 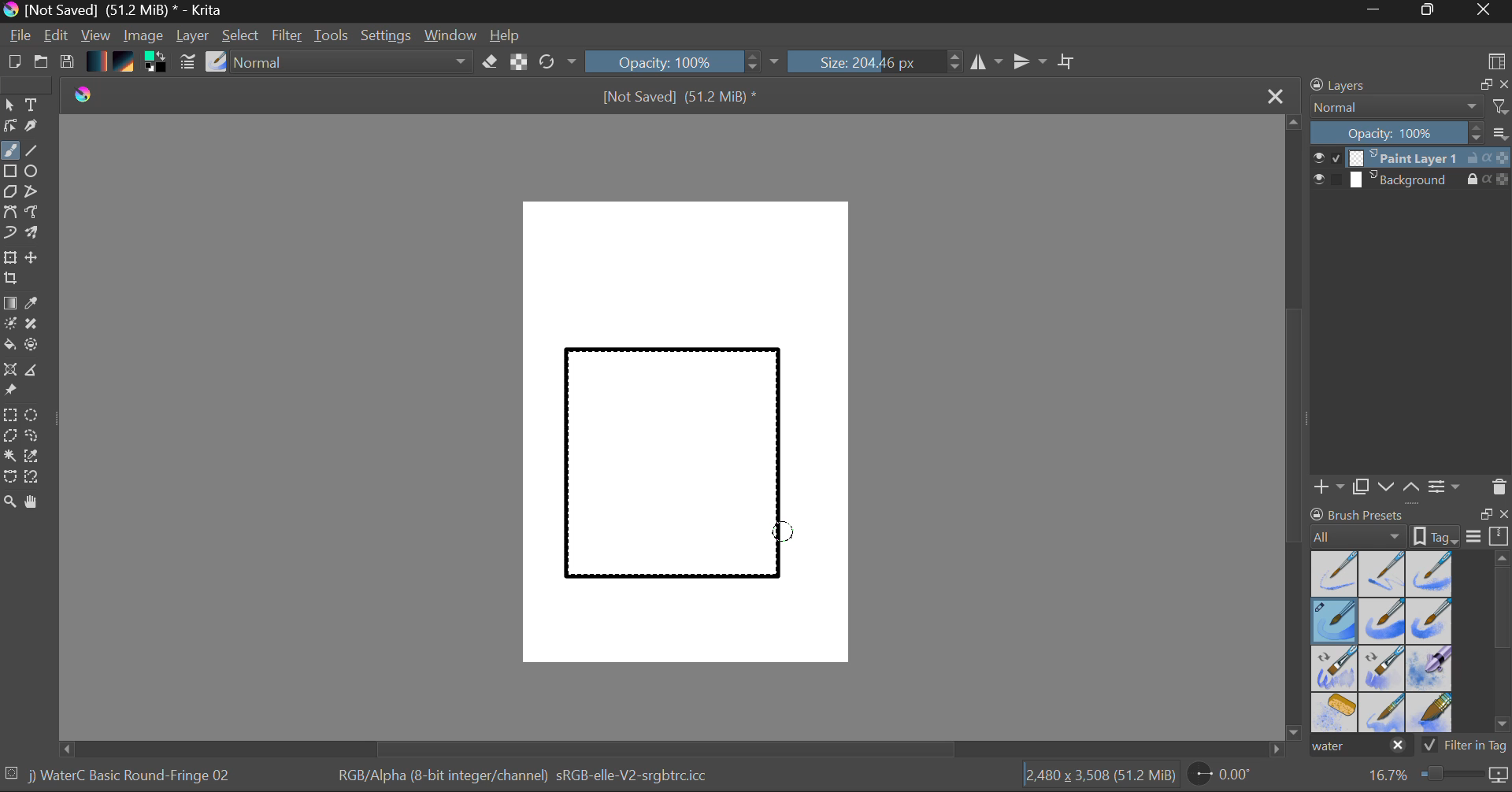 What do you see at coordinates (332, 36) in the screenshot?
I see `Tools` at bounding box center [332, 36].